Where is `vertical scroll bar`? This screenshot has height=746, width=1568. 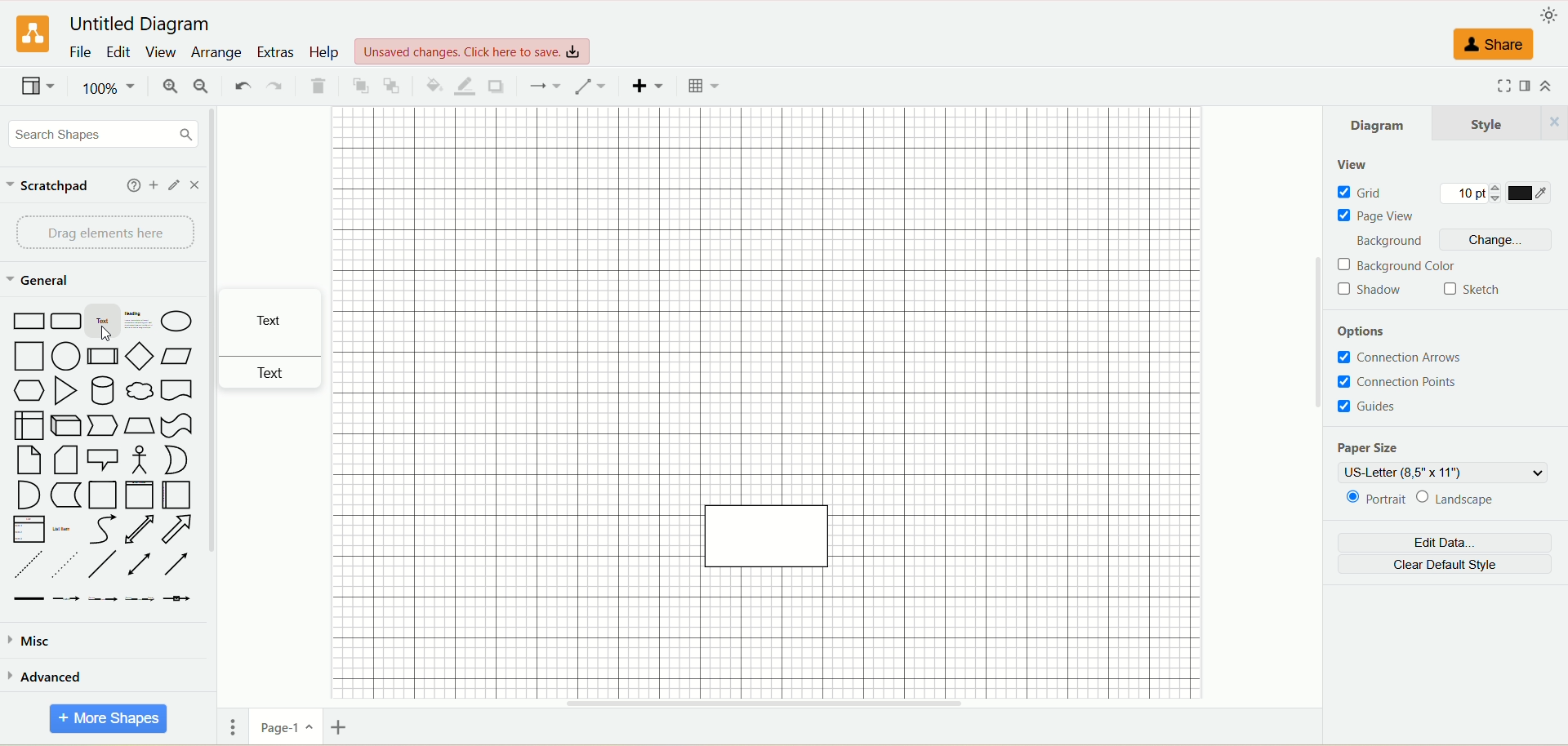
vertical scroll bar is located at coordinates (219, 398).